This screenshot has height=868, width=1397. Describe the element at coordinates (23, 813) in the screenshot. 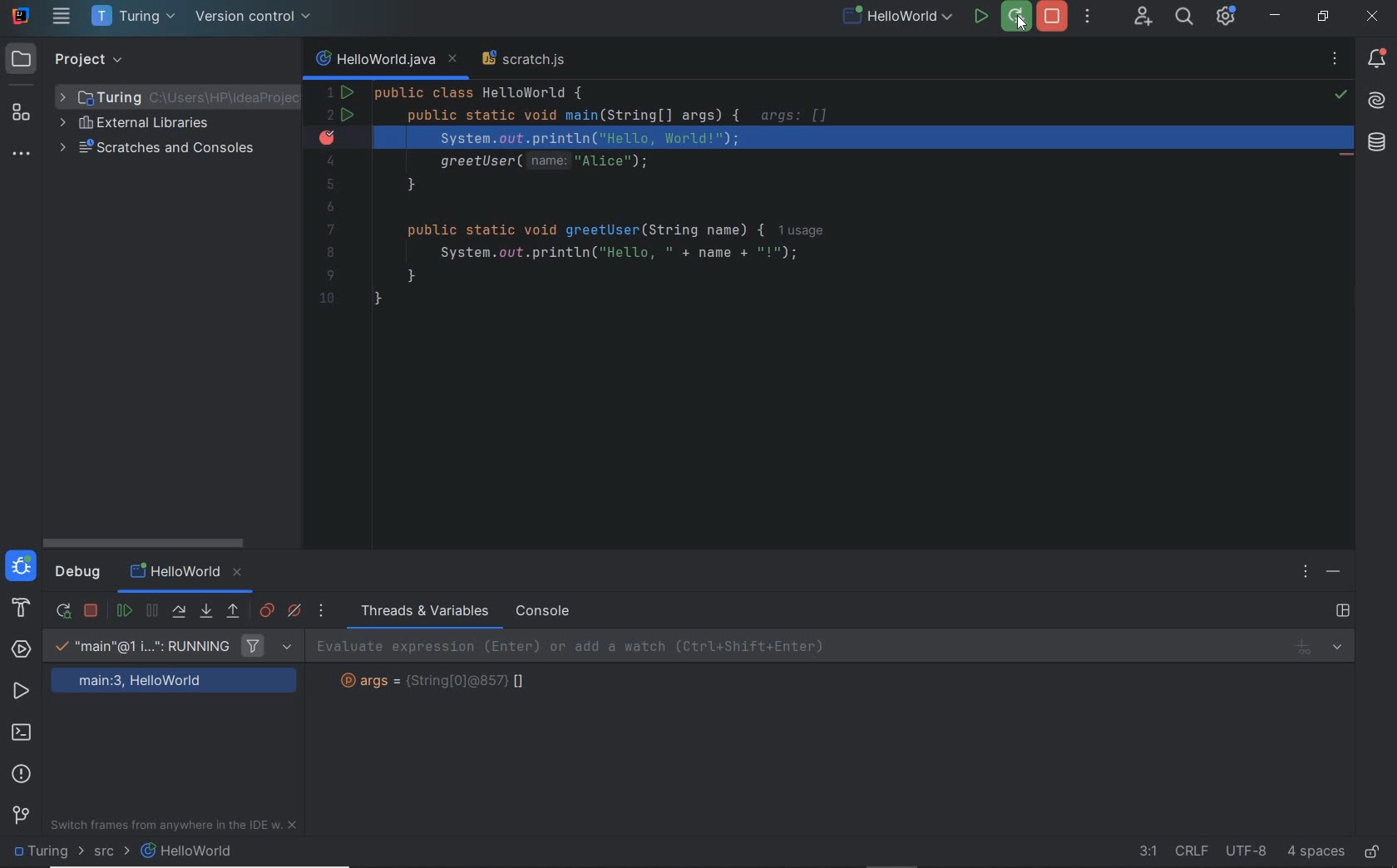

I see `Git` at that location.